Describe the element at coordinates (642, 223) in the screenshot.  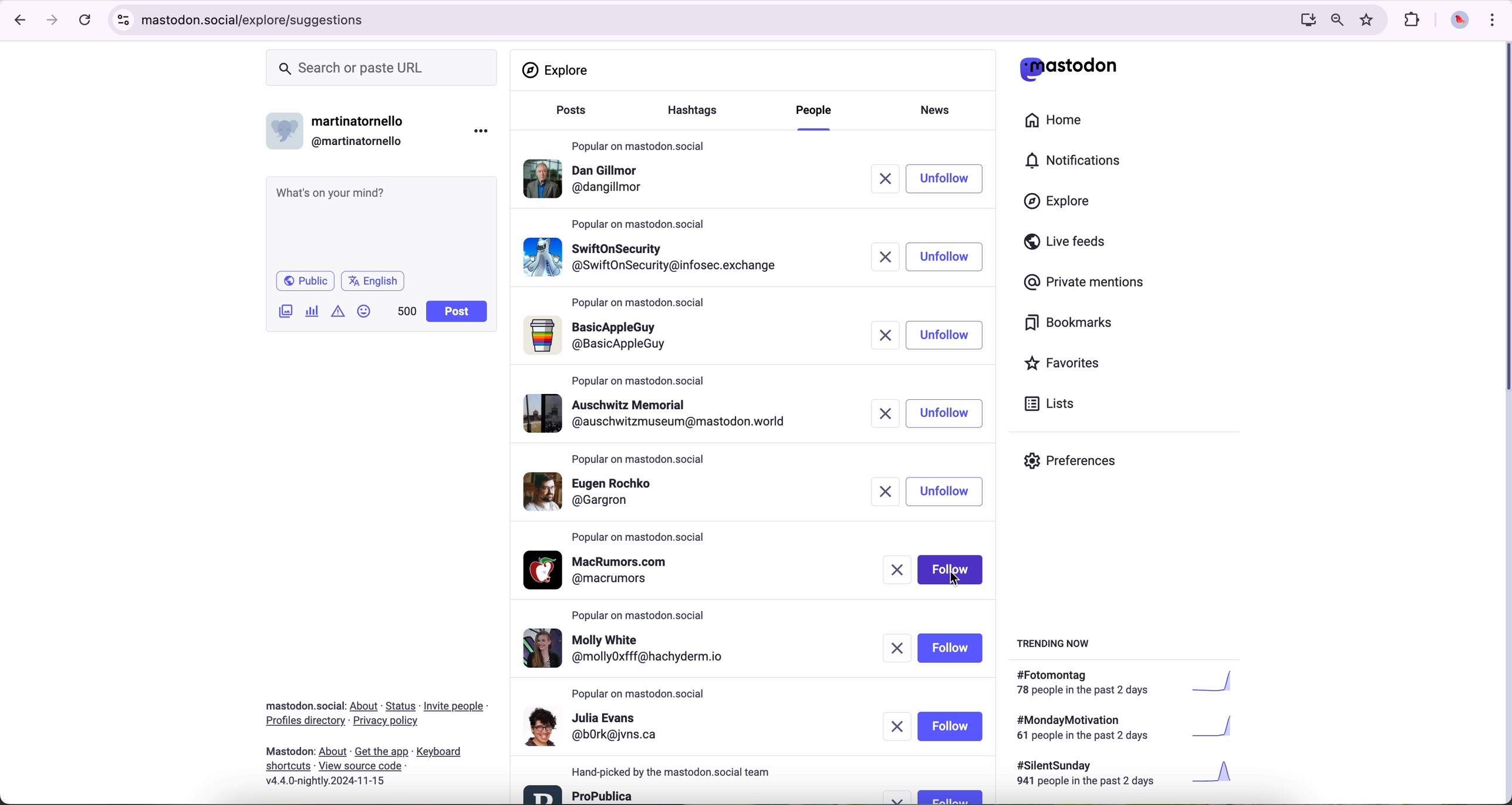
I see `popular on mastodon.social` at that location.